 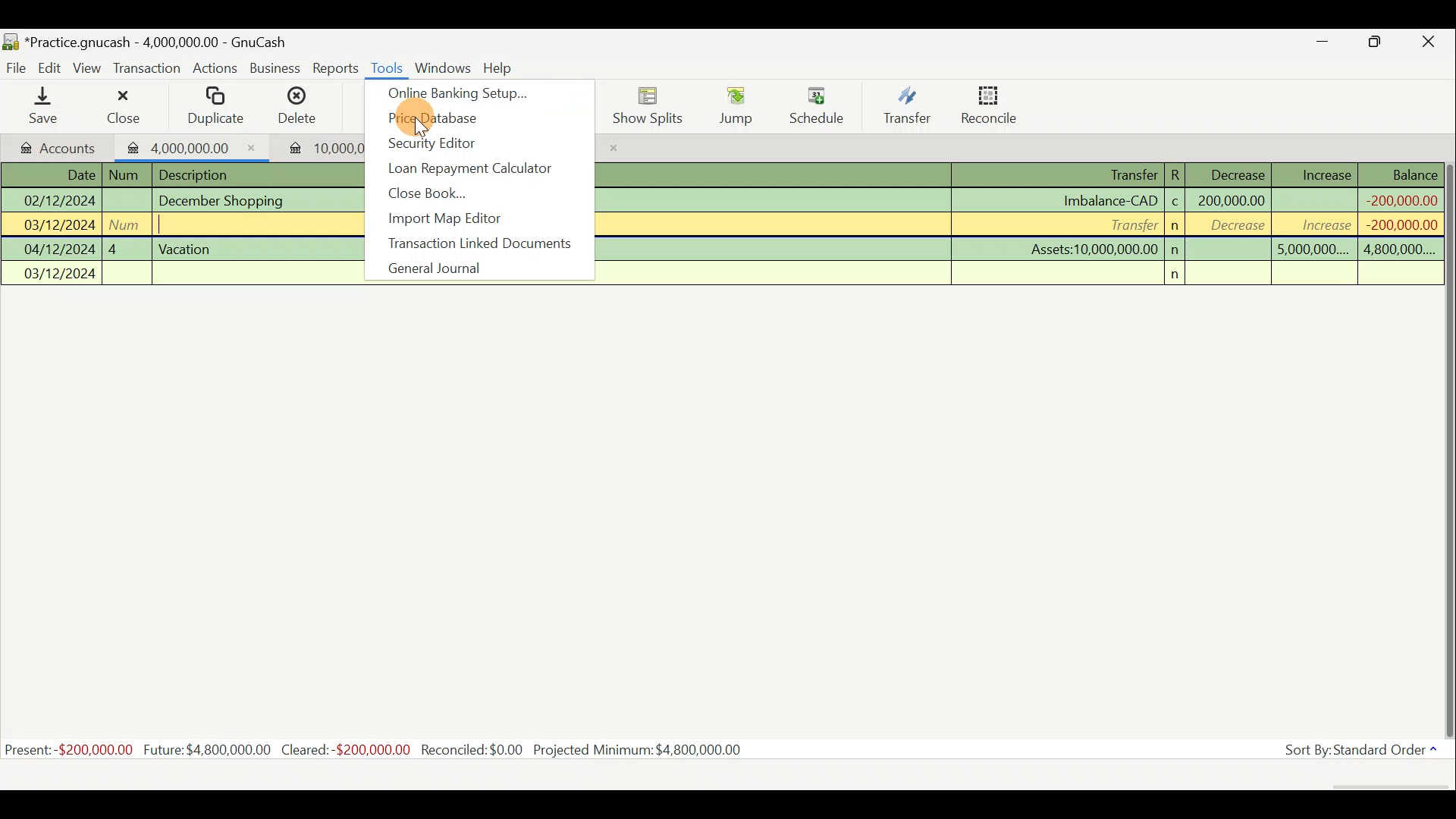 What do you see at coordinates (199, 173) in the screenshot?
I see `Description` at bounding box center [199, 173].